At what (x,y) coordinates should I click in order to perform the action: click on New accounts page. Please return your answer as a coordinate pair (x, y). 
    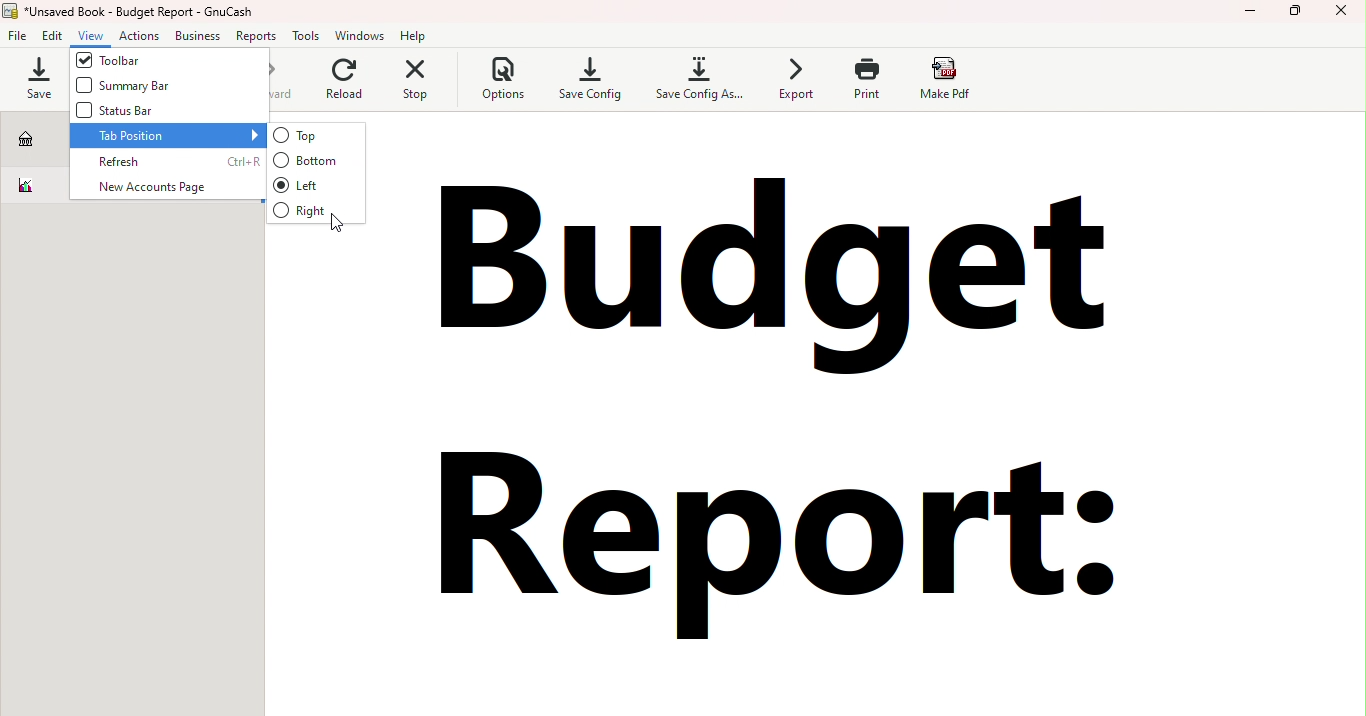
    Looking at the image, I should click on (163, 187).